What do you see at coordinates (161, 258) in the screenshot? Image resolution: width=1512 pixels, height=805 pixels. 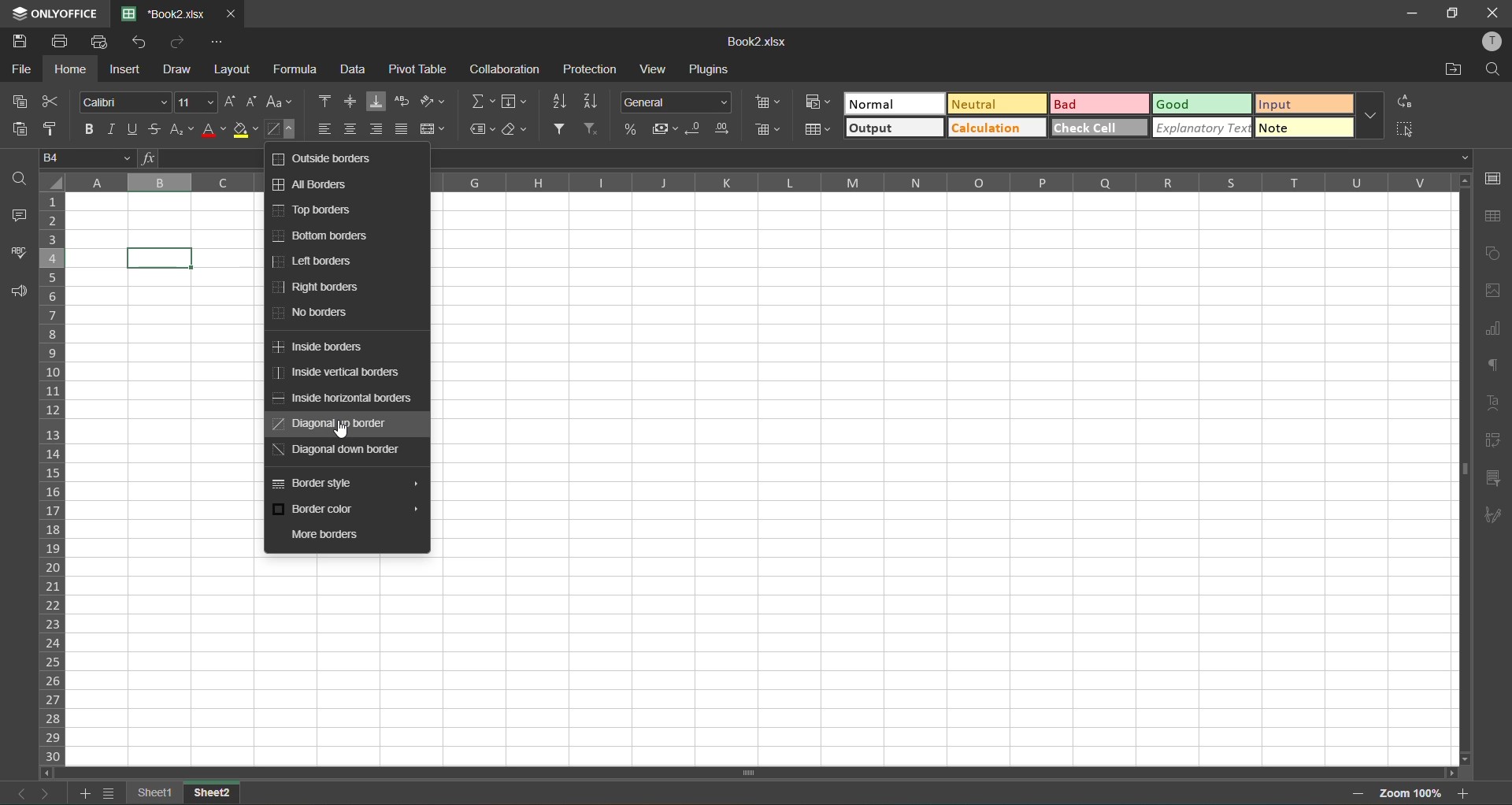 I see `selected cell` at bounding box center [161, 258].